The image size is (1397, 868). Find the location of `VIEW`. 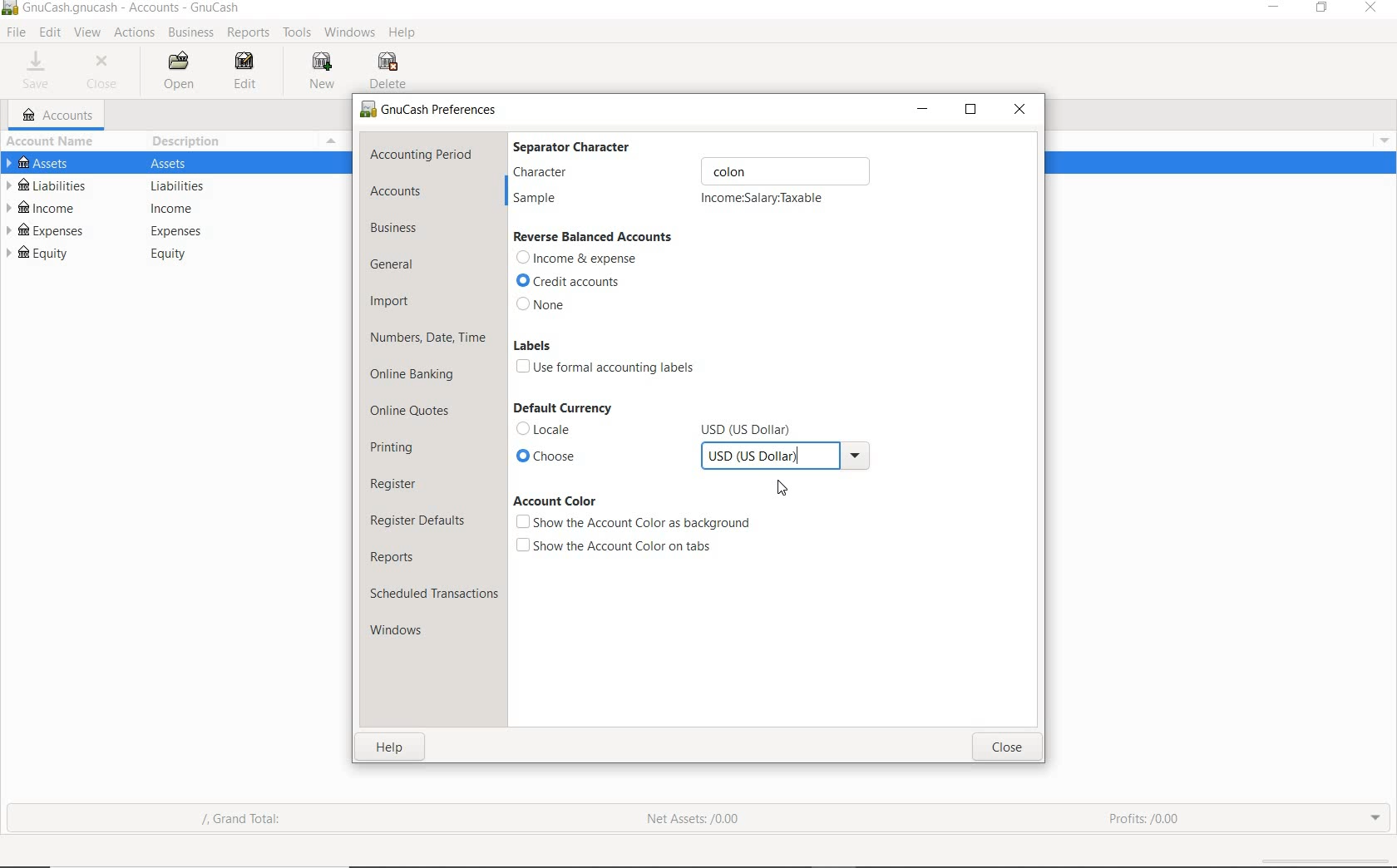

VIEW is located at coordinates (87, 31).